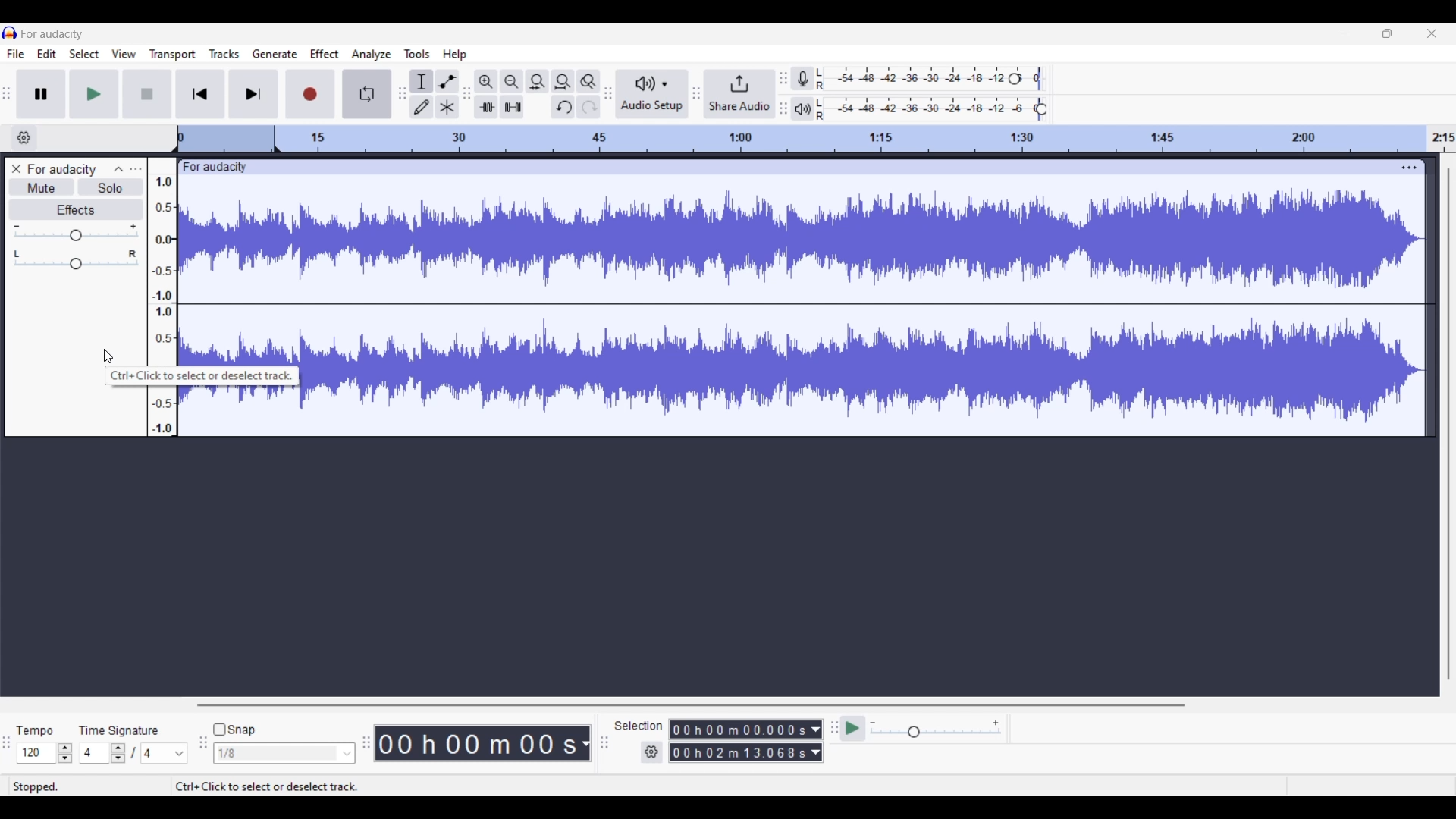 The width and height of the screenshot is (1456, 819). What do you see at coordinates (41, 187) in the screenshot?
I see `Mute` at bounding box center [41, 187].